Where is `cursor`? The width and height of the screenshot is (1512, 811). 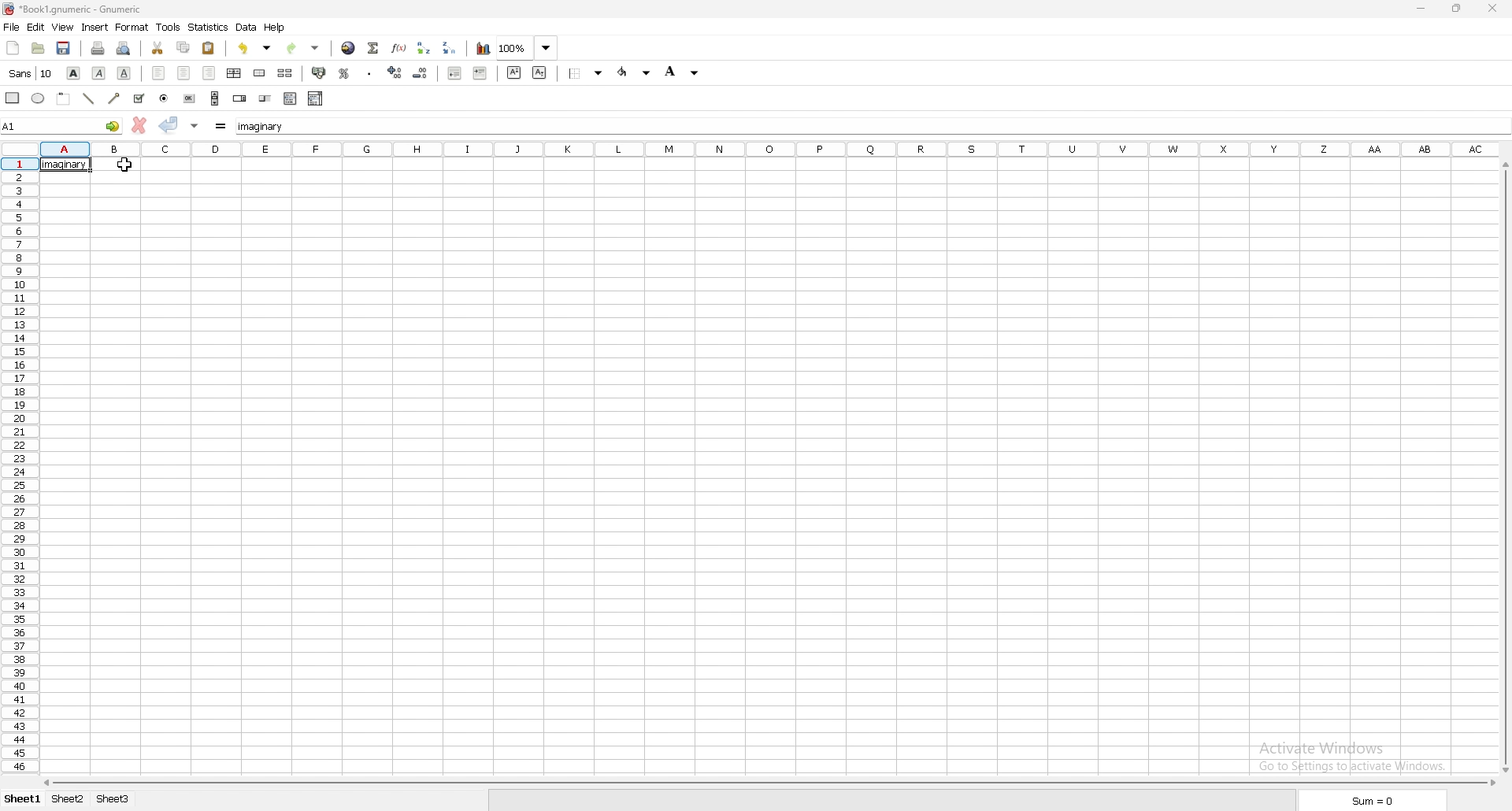 cursor is located at coordinates (125, 166).